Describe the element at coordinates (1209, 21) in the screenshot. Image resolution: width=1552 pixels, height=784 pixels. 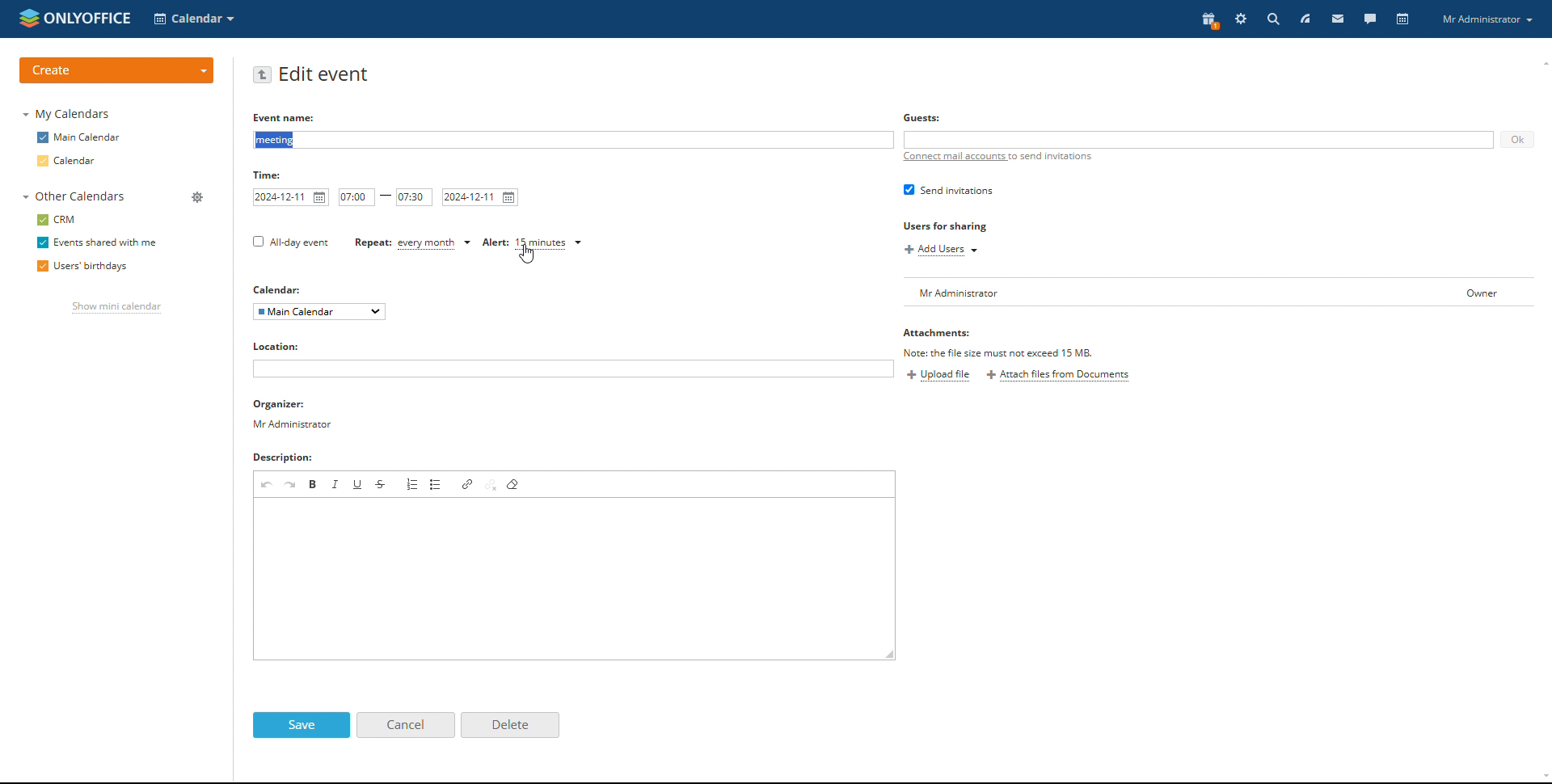
I see `present` at that location.